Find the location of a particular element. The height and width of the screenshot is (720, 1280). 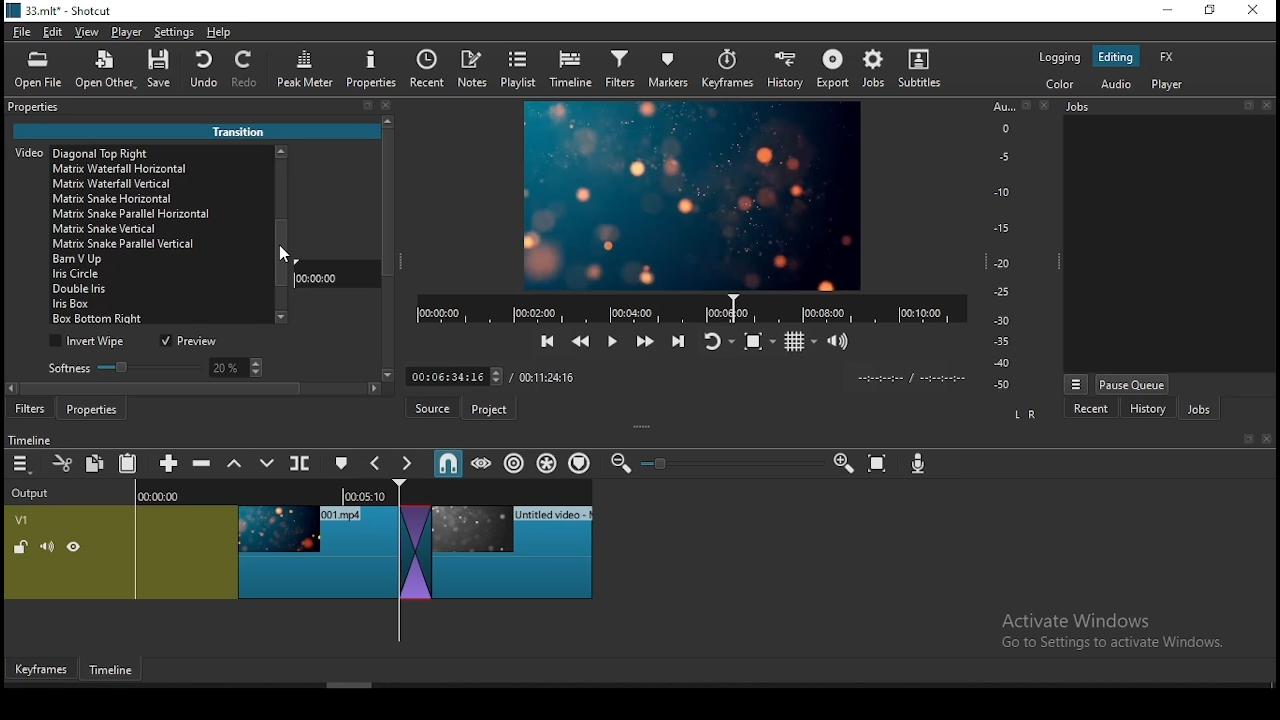

player is located at coordinates (127, 33).